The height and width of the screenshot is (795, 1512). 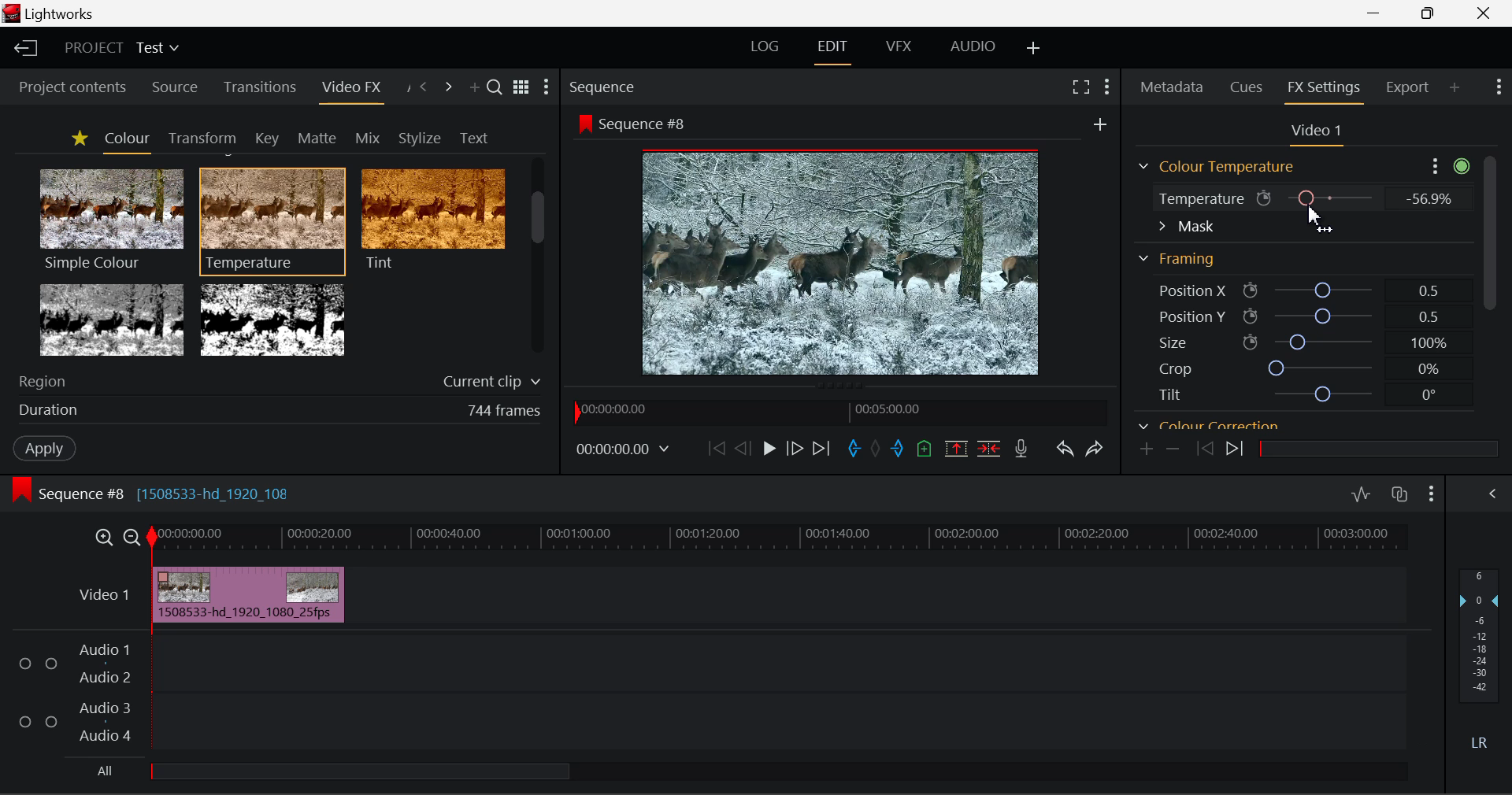 I want to click on Simple Colour, so click(x=110, y=219).